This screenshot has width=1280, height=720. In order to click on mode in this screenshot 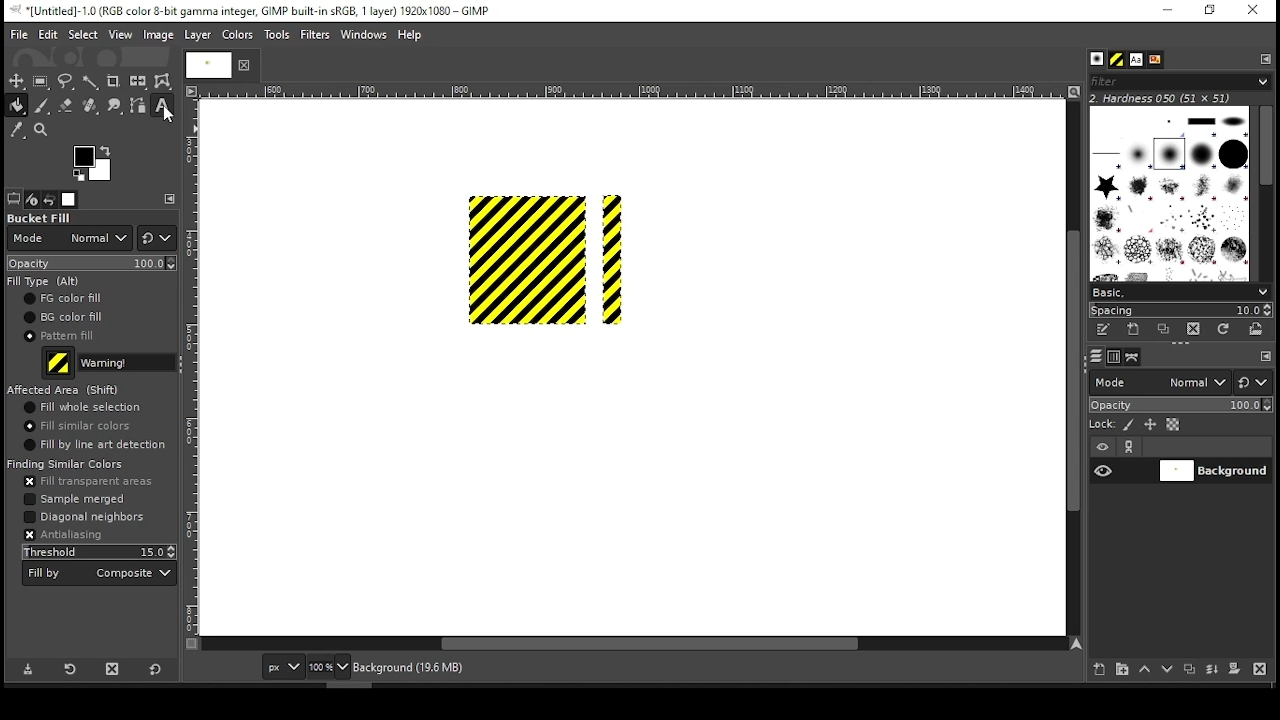, I will do `click(69, 239)`.